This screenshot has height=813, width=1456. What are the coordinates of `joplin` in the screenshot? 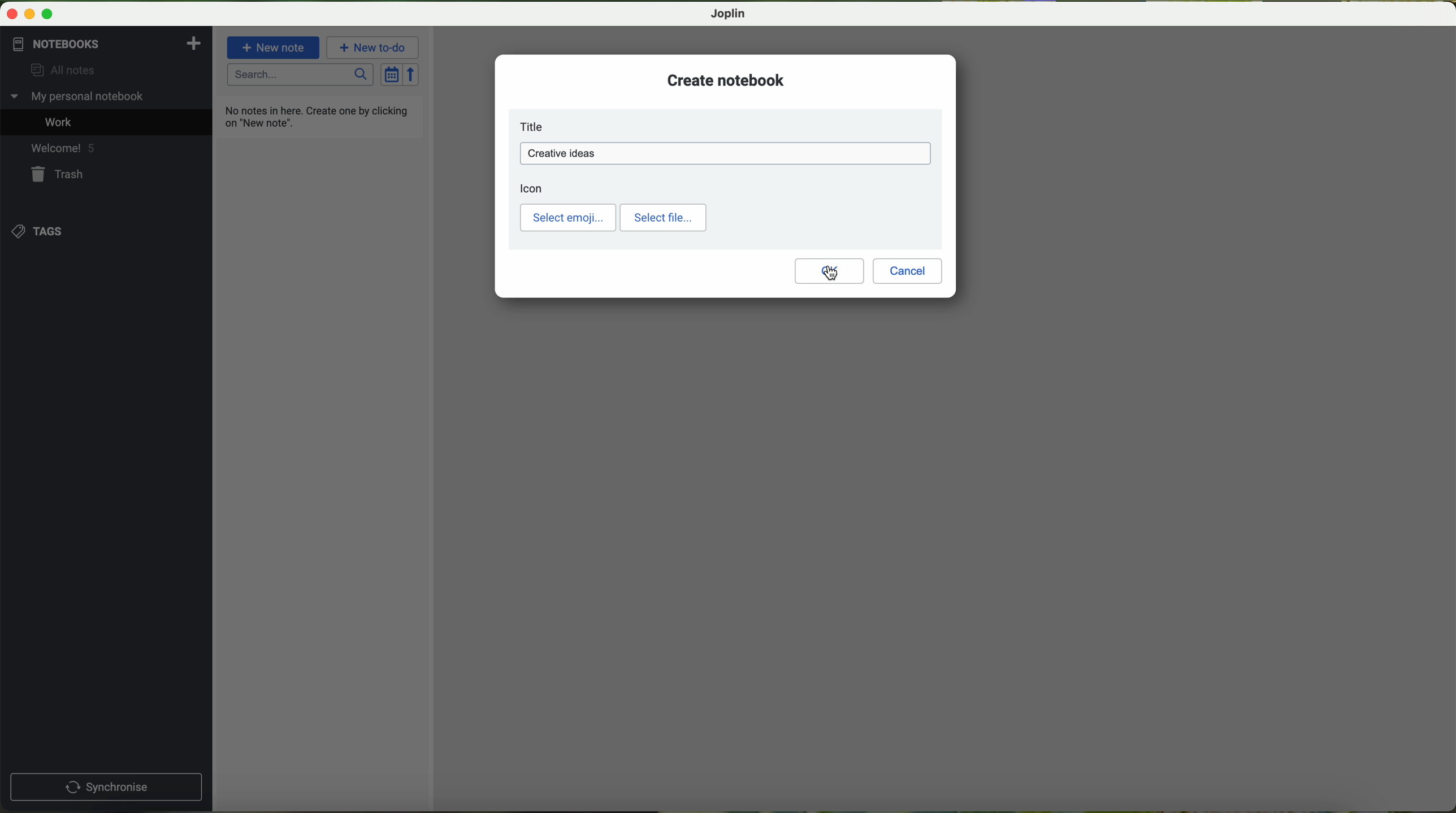 It's located at (729, 14).